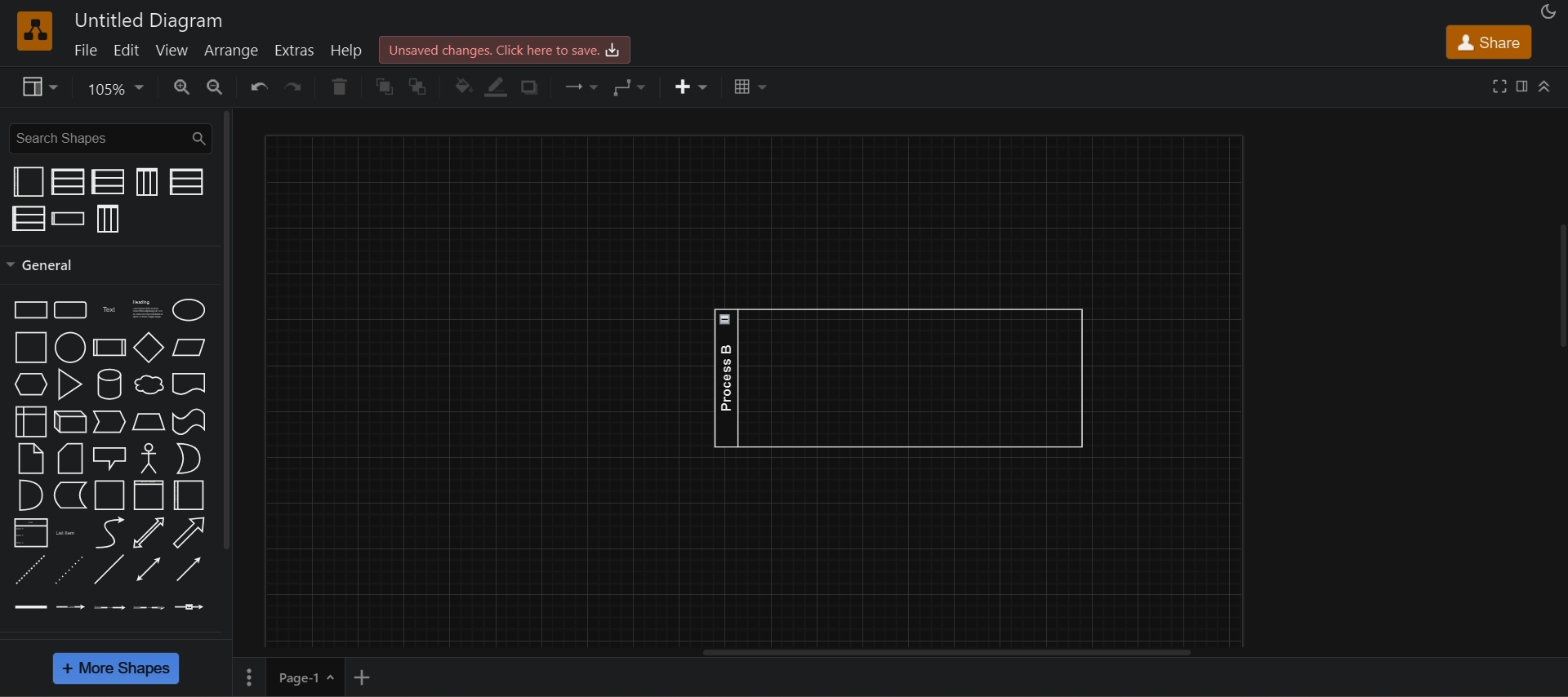 The height and width of the screenshot is (697, 1568). What do you see at coordinates (118, 87) in the screenshot?
I see `Zoom` at bounding box center [118, 87].